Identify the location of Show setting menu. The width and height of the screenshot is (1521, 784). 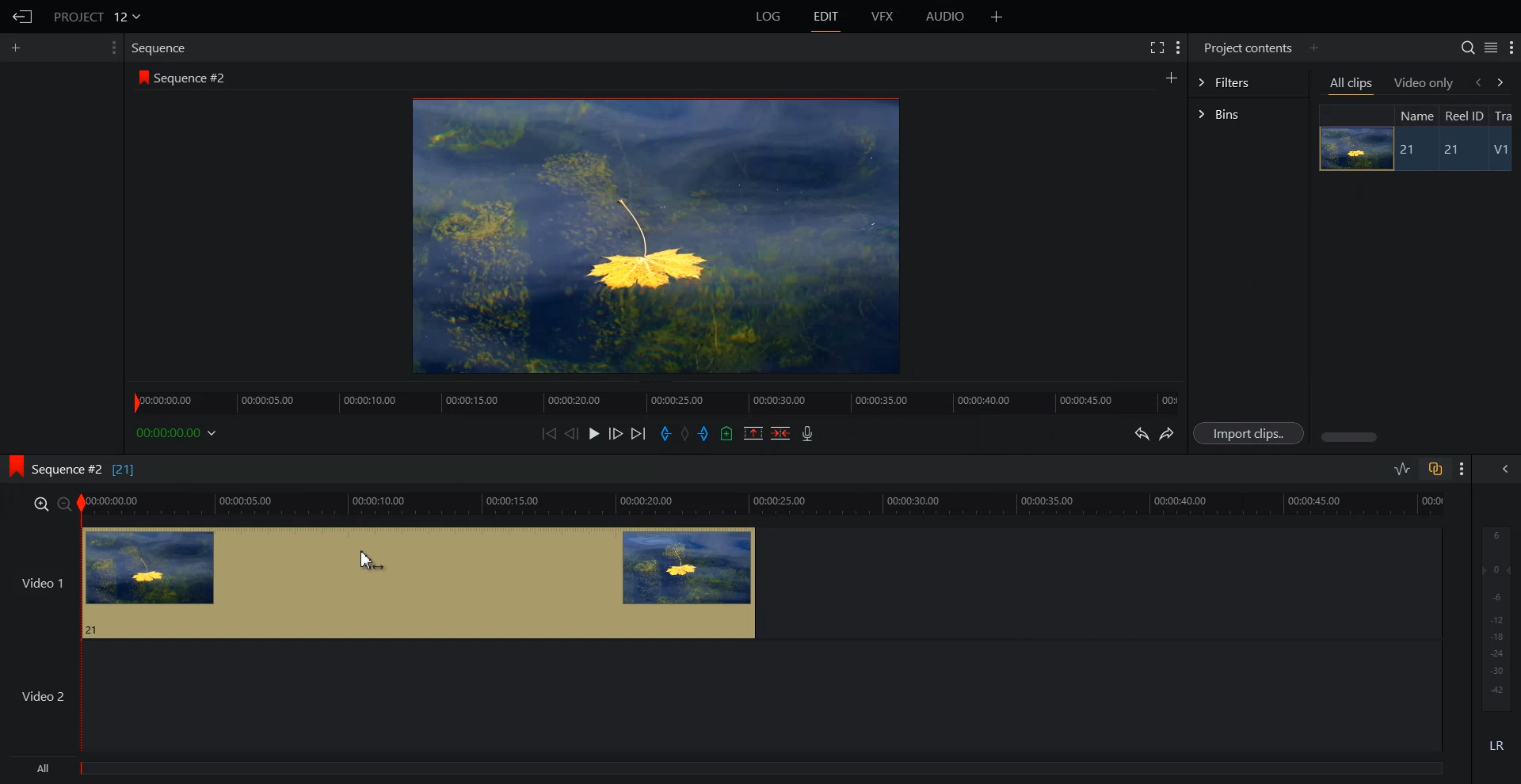
(1462, 469).